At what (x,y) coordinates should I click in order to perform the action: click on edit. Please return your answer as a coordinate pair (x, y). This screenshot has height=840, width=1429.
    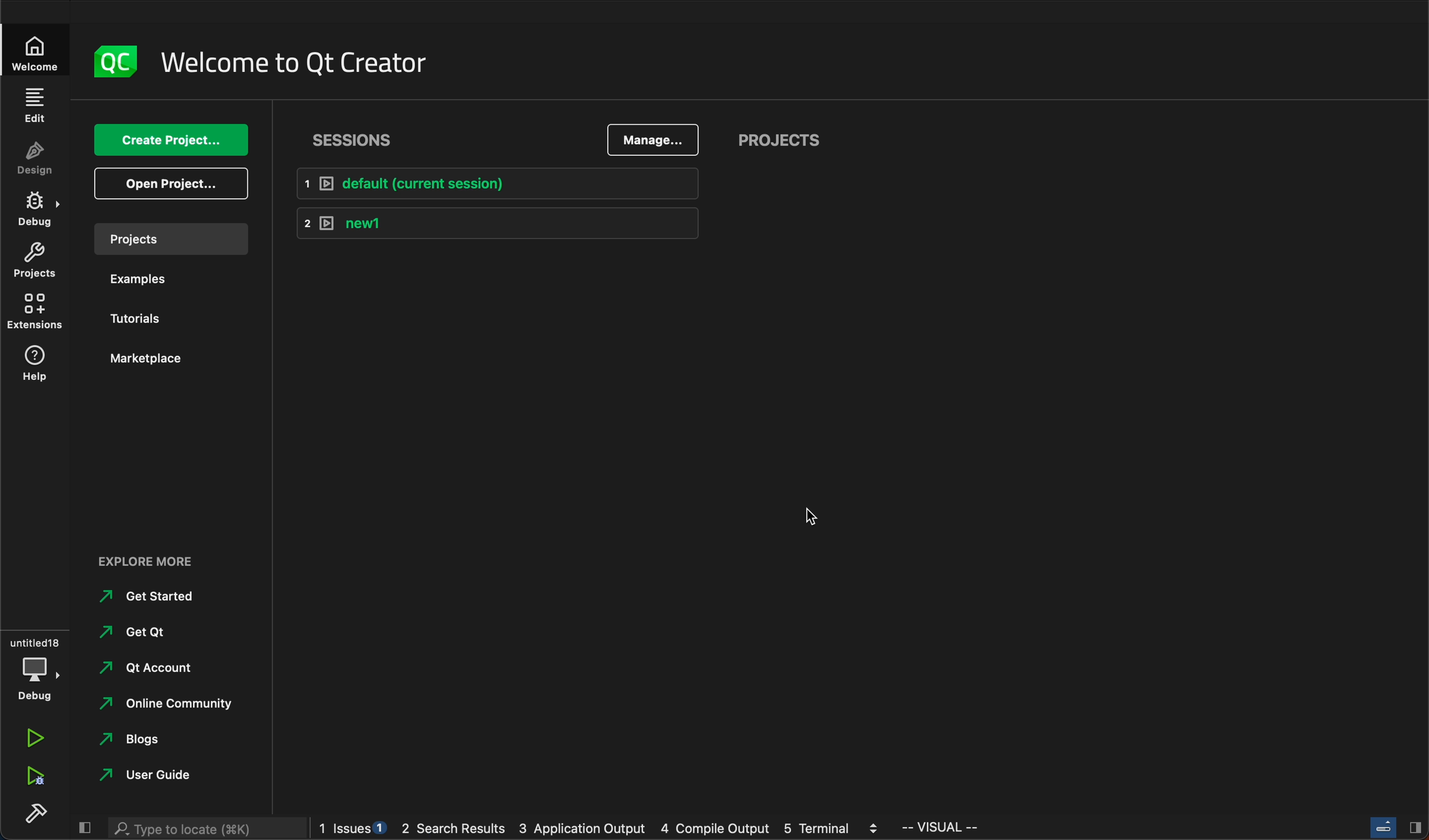
    Looking at the image, I should click on (36, 104).